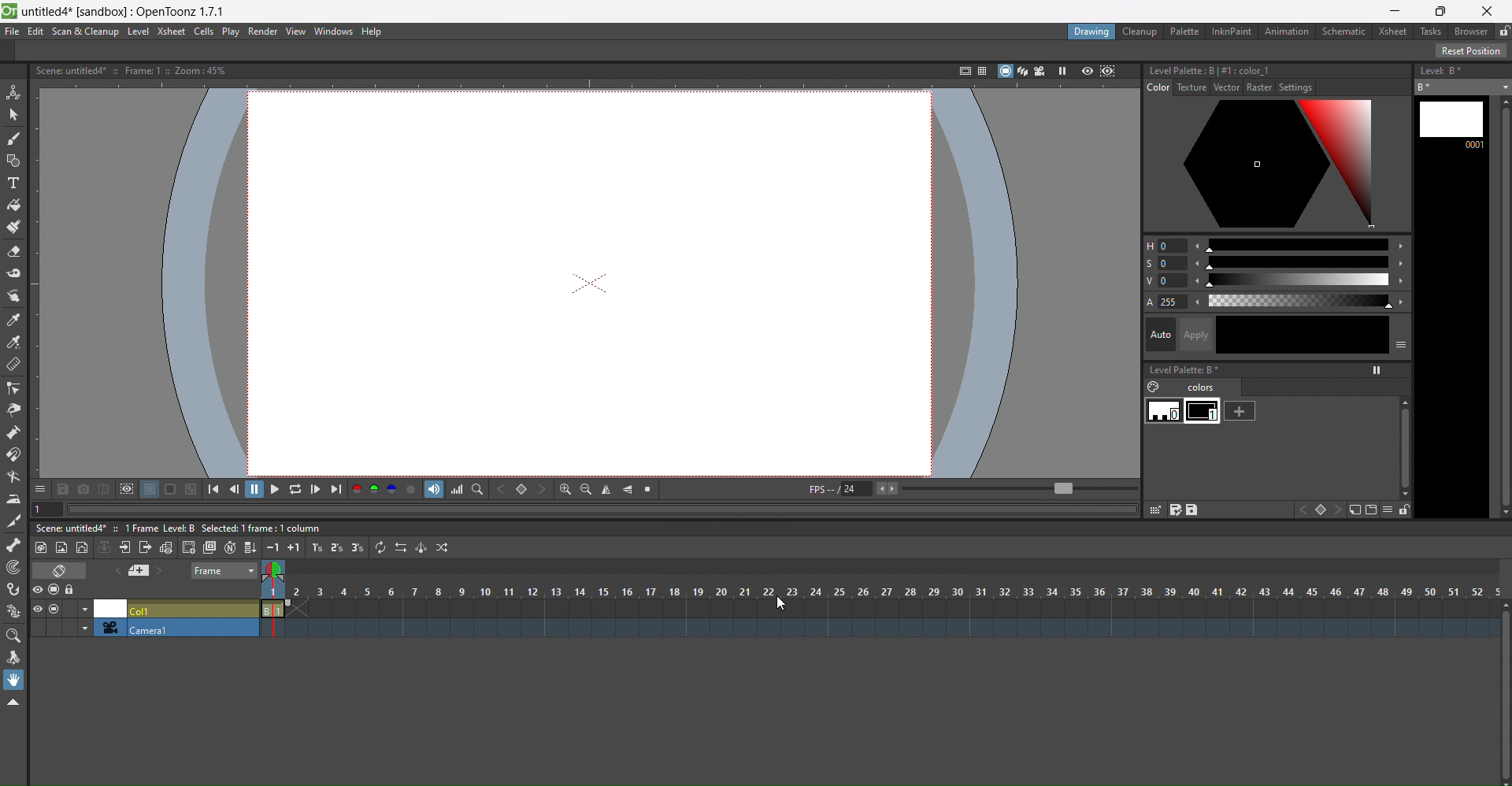 This screenshot has width=1512, height=786. What do you see at coordinates (14, 251) in the screenshot?
I see `eraser tool` at bounding box center [14, 251].